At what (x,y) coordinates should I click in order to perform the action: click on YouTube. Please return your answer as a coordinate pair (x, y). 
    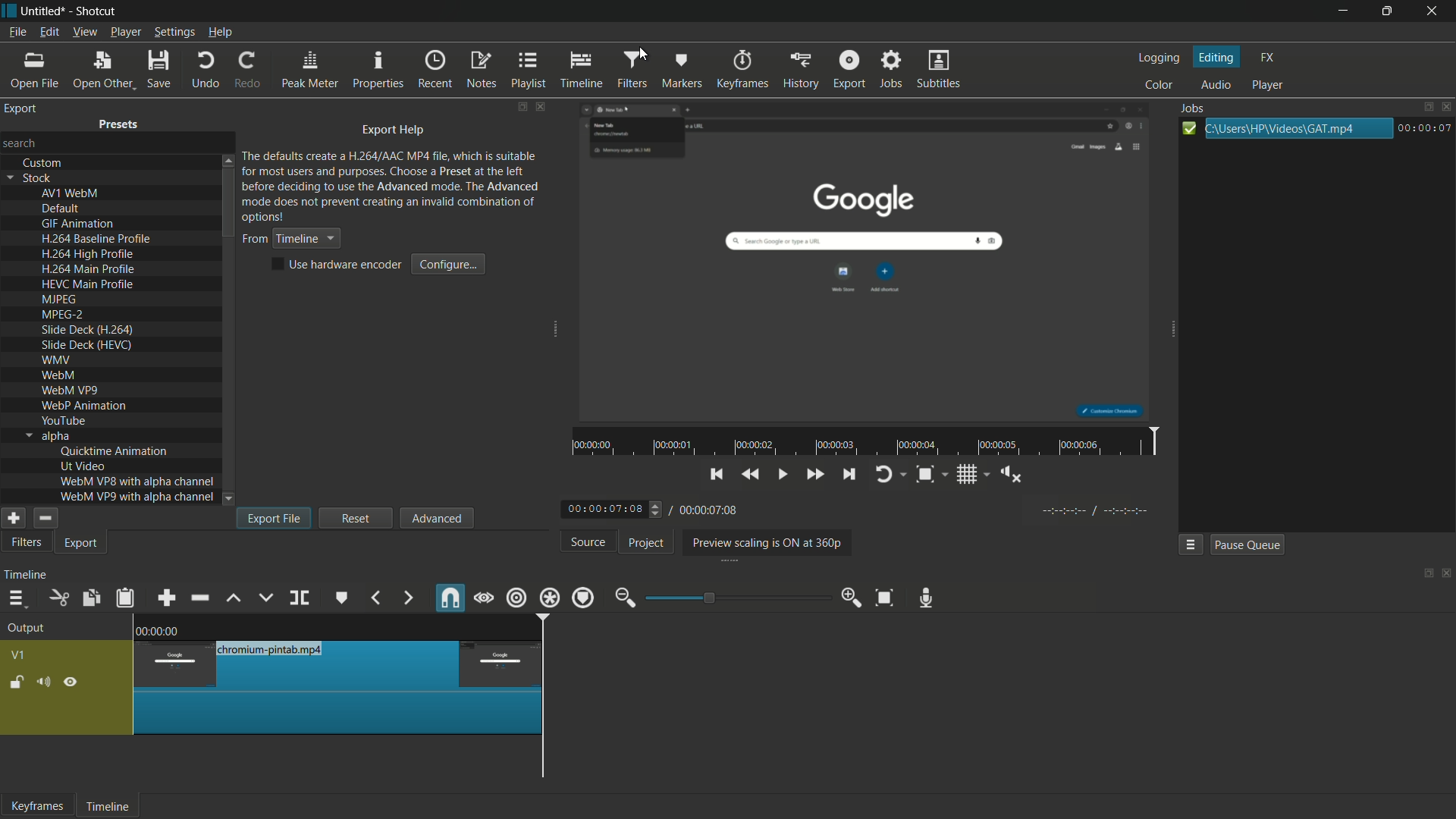
    Looking at the image, I should click on (65, 421).